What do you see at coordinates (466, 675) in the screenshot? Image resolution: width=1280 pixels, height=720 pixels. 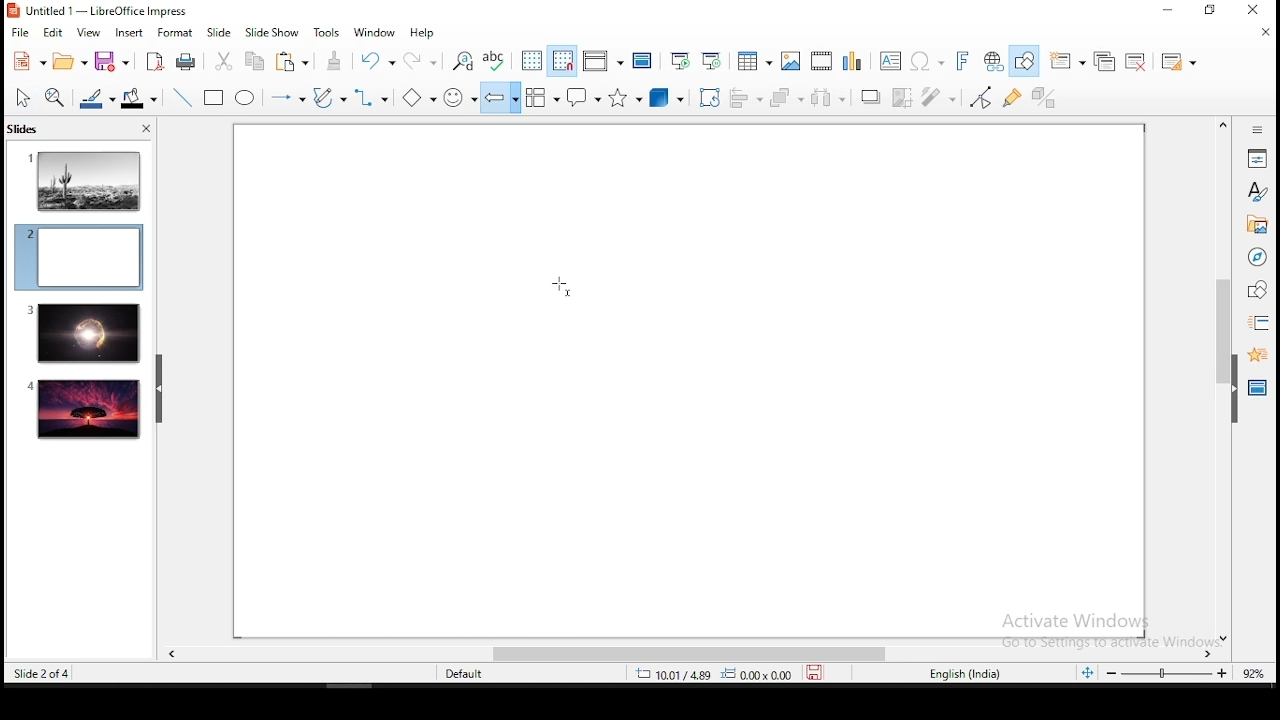 I see `default` at bounding box center [466, 675].